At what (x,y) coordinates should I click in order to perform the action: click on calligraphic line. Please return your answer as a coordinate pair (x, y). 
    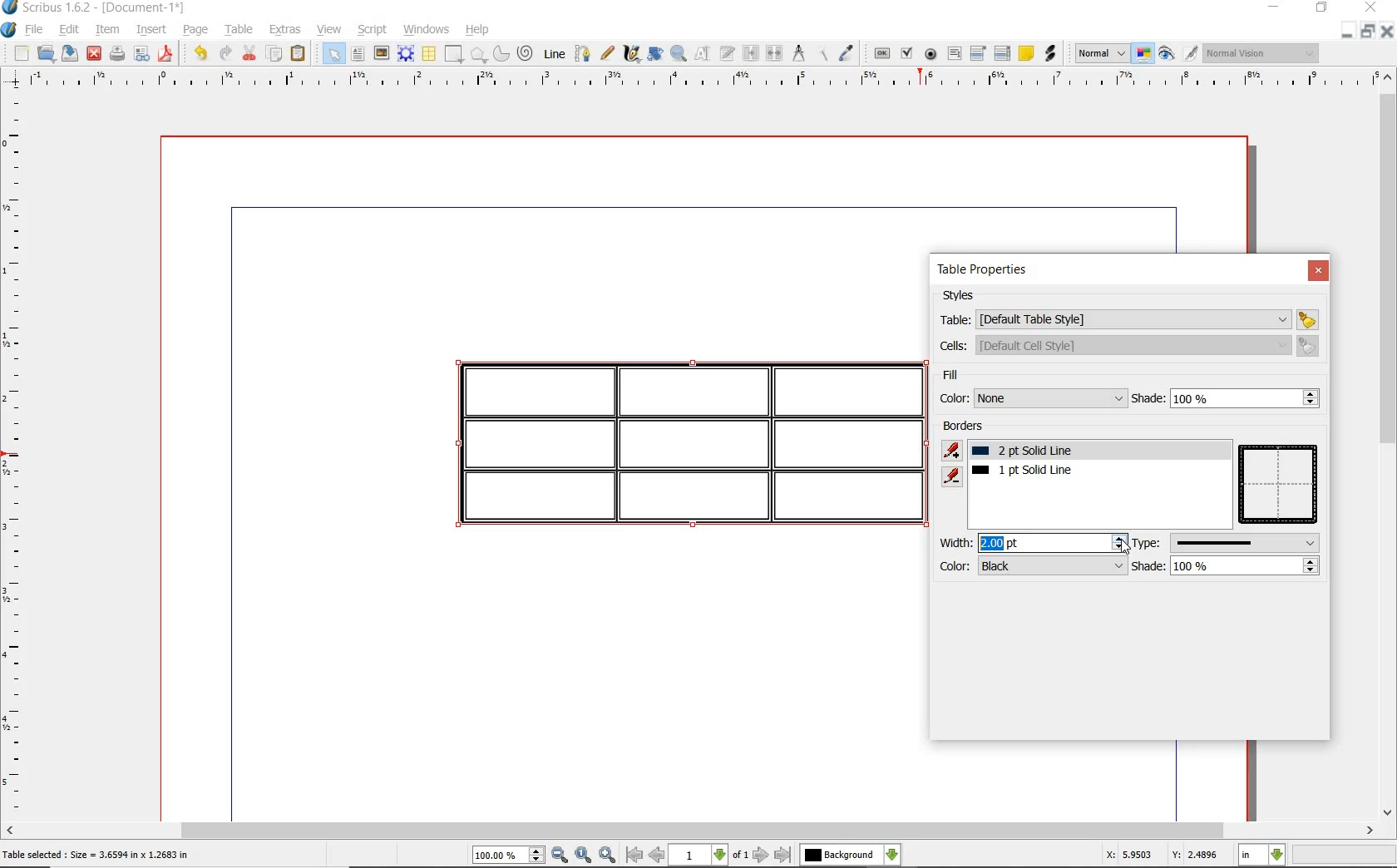
    Looking at the image, I should click on (630, 53).